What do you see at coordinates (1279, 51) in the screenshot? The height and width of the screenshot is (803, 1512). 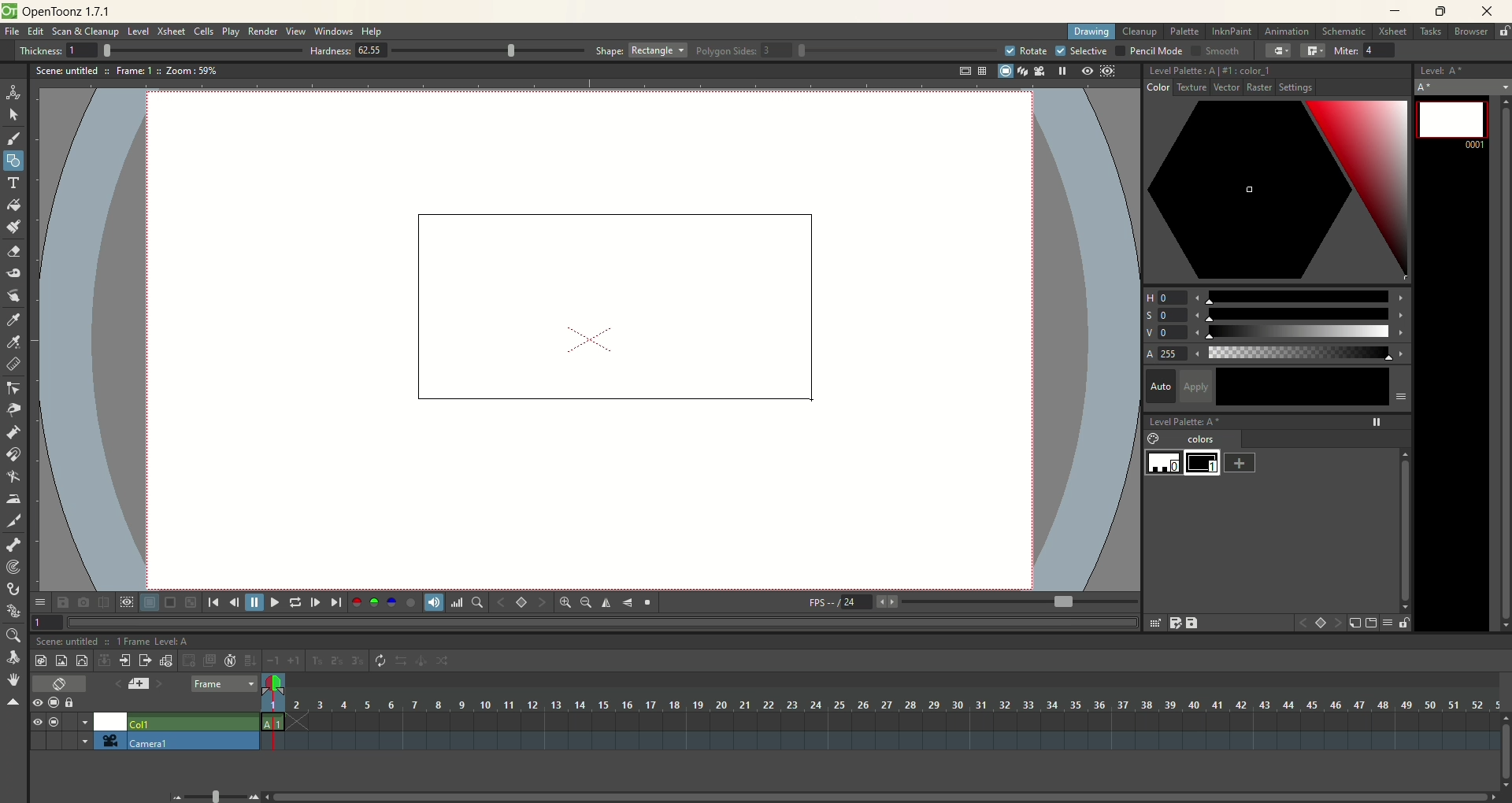 I see `cap` at bounding box center [1279, 51].